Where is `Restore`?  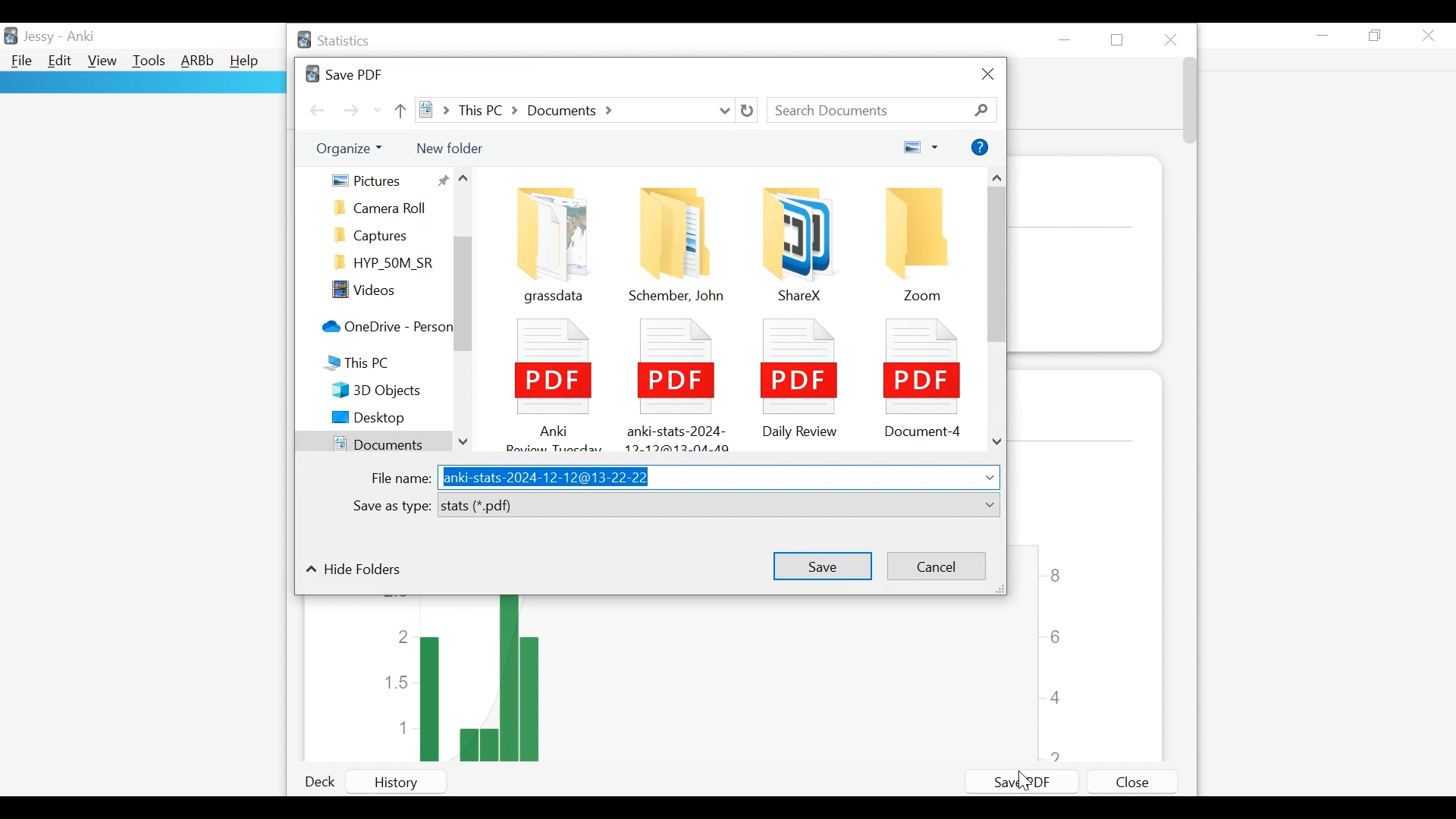 Restore is located at coordinates (1120, 39).